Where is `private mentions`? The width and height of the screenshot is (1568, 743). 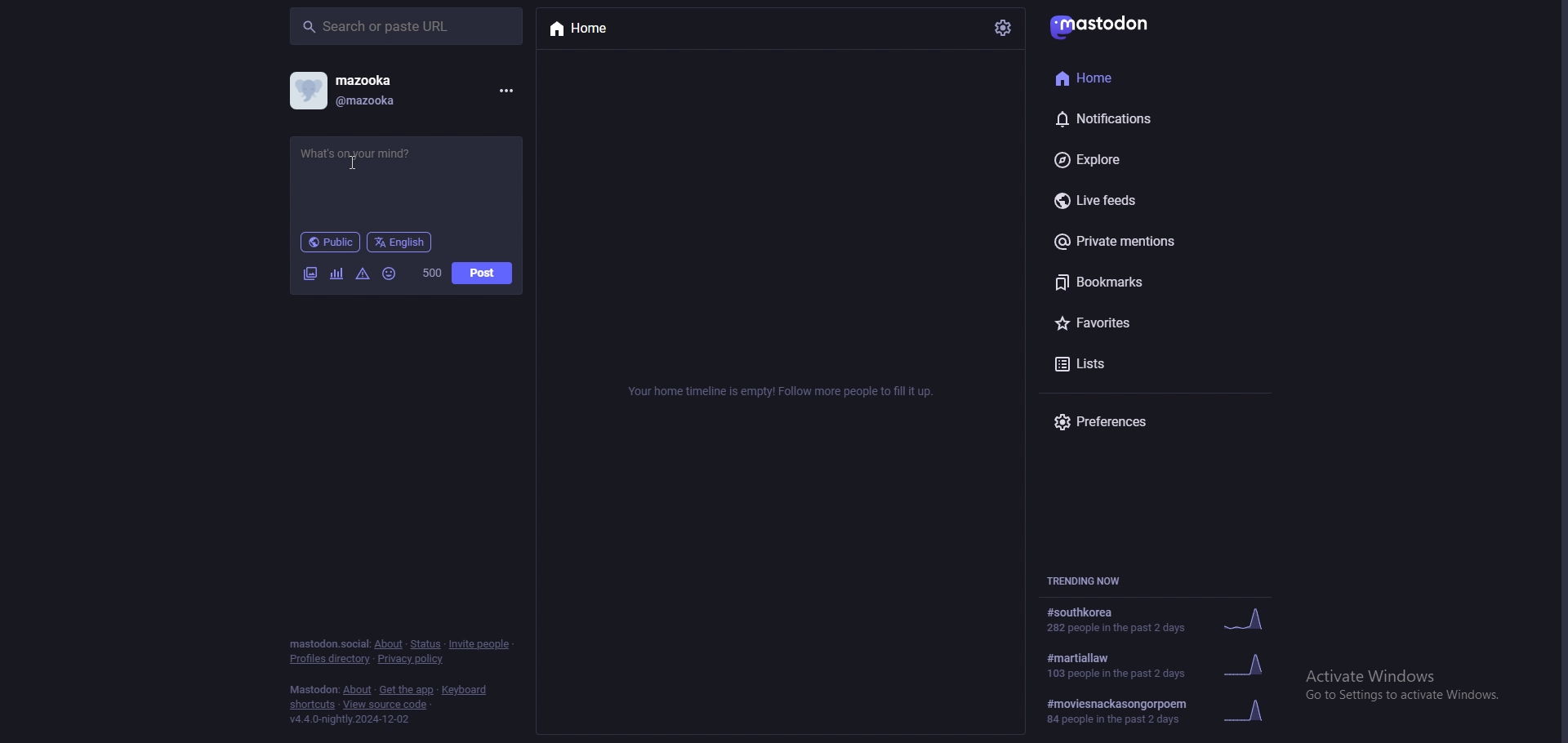
private mentions is located at coordinates (1140, 243).